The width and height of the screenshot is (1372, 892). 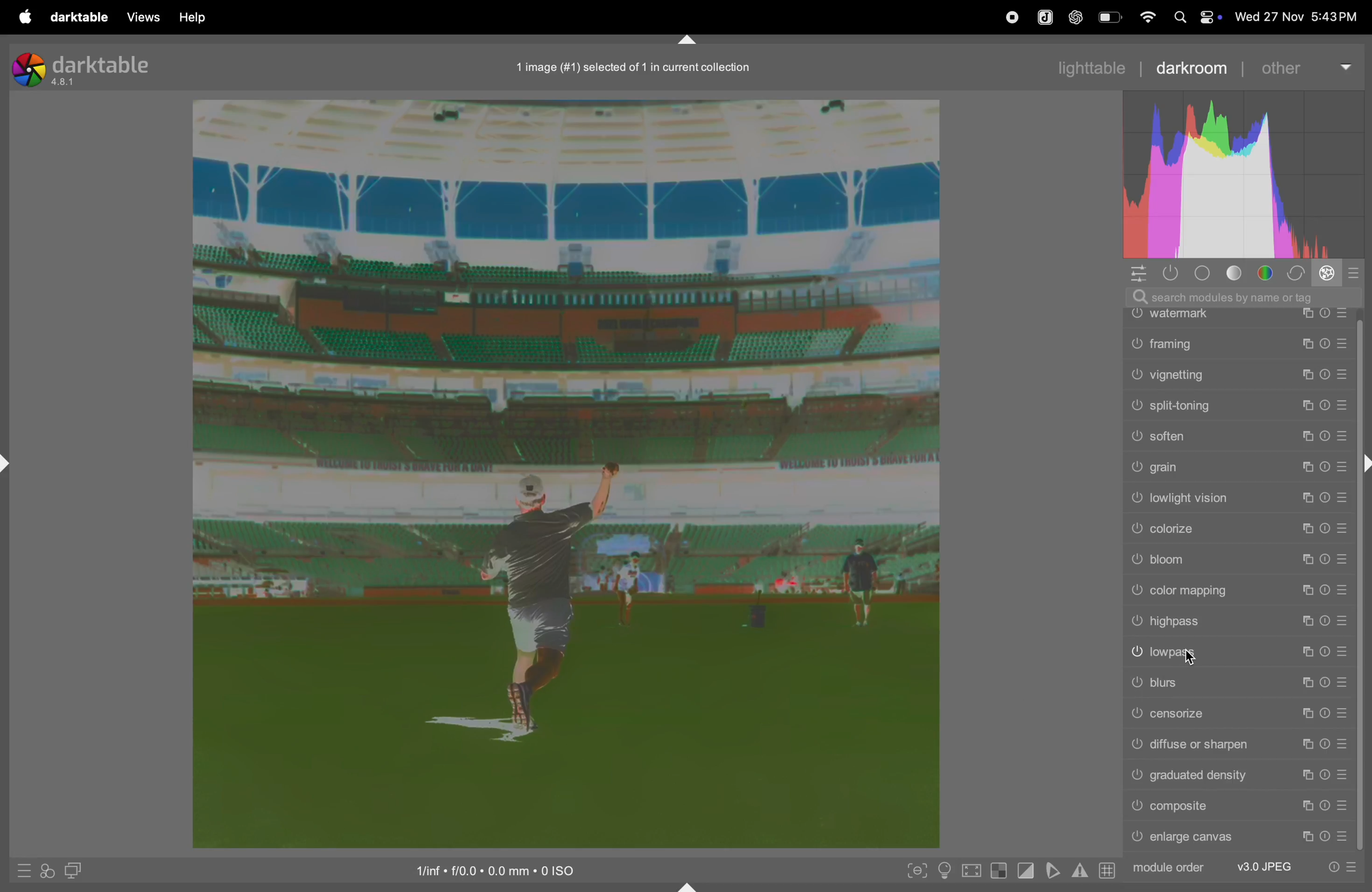 I want to click on apple widgets, so click(x=1208, y=17).